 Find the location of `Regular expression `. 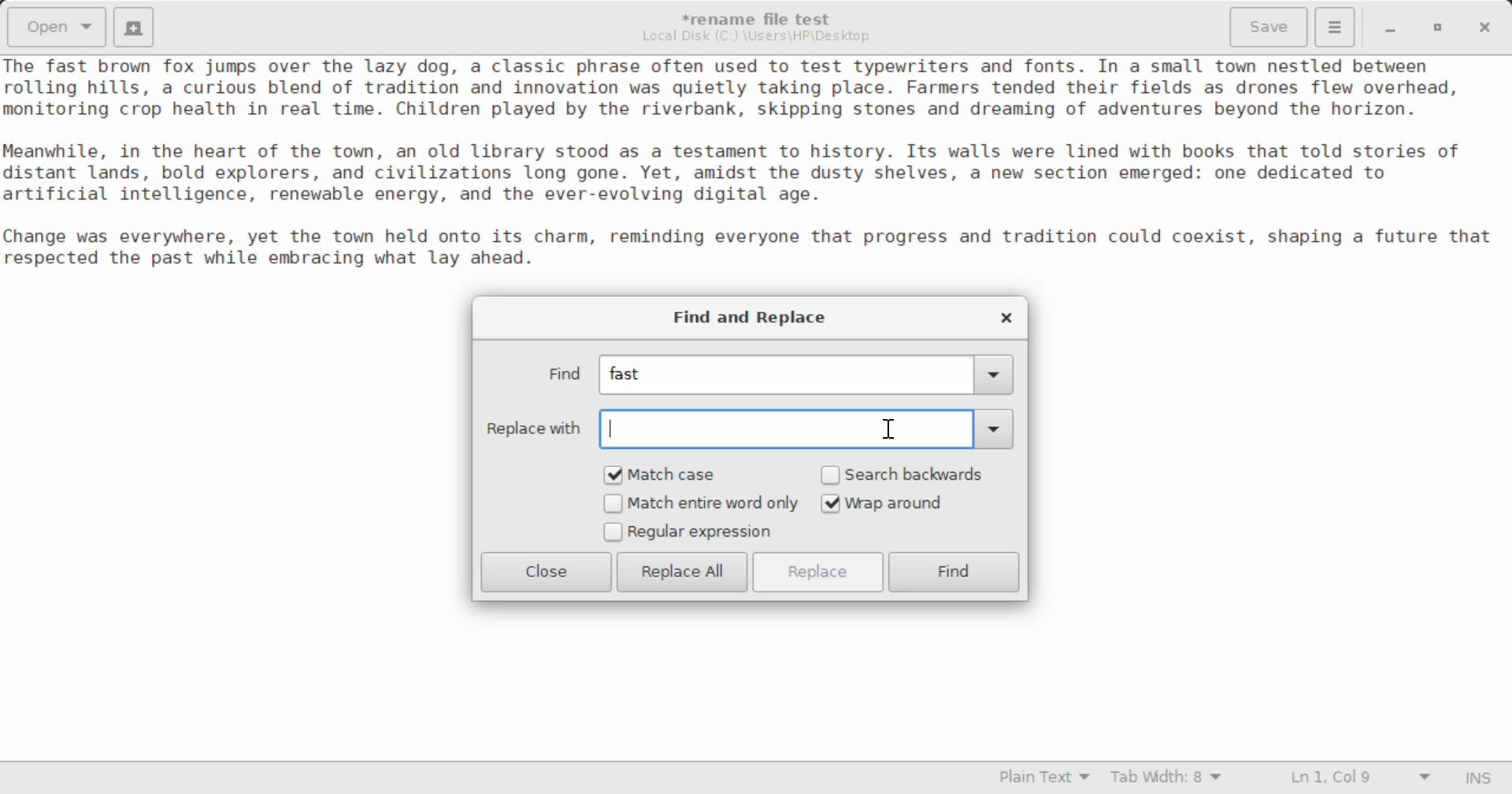

Regular expression  is located at coordinates (688, 533).